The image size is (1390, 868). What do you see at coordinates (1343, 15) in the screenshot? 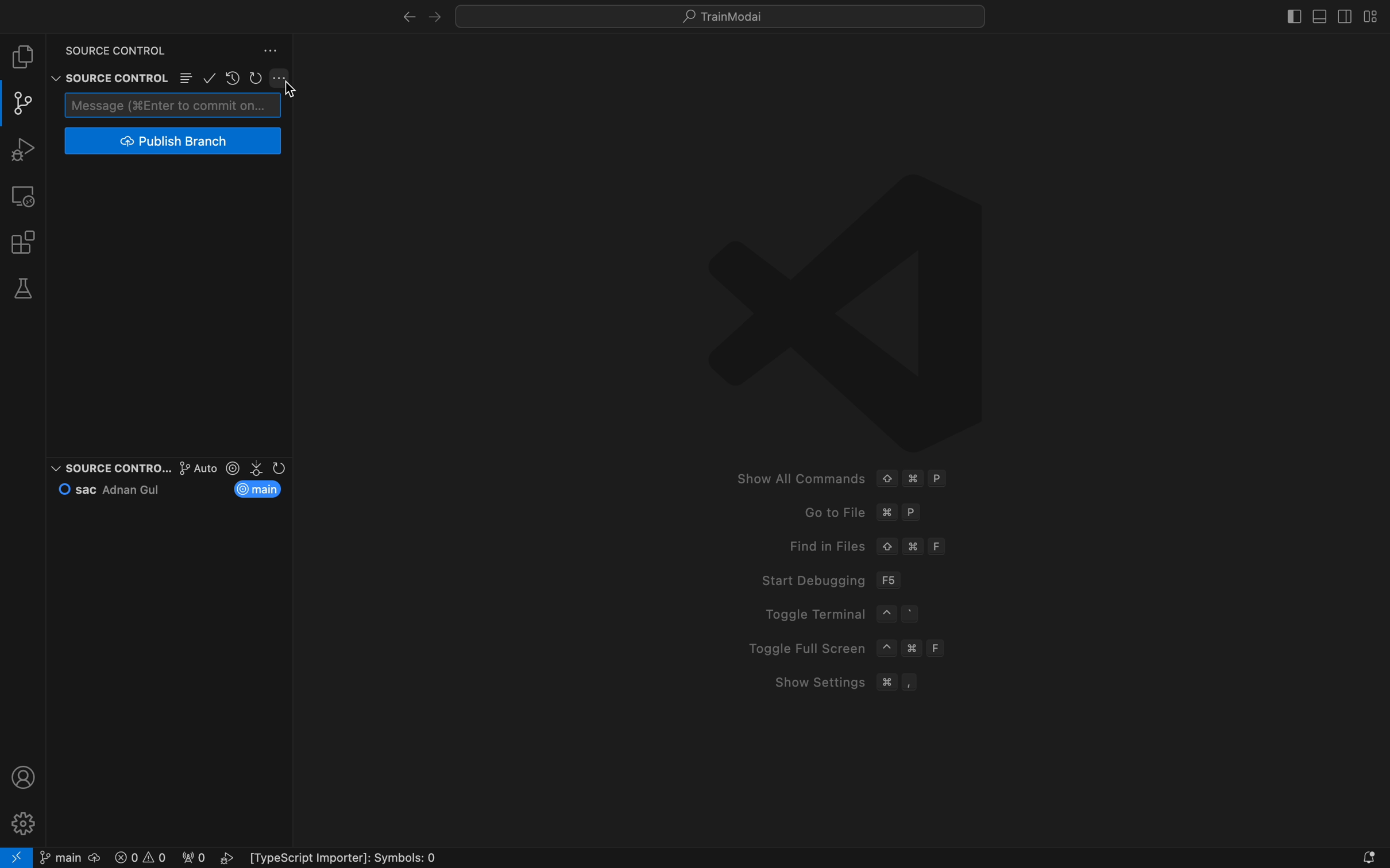
I see `toggle secondary bar` at bounding box center [1343, 15].